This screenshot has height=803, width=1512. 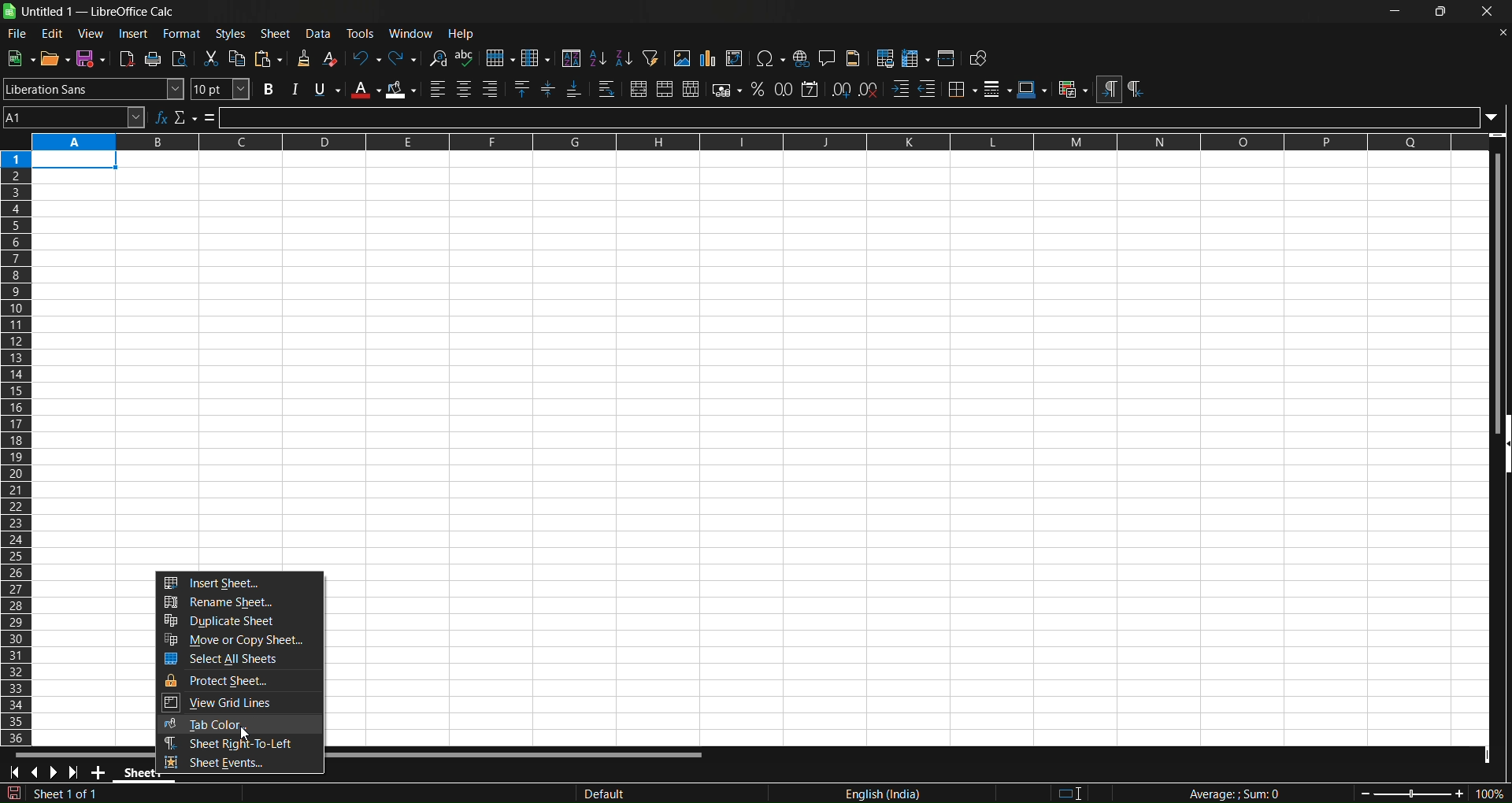 What do you see at coordinates (294, 89) in the screenshot?
I see `italic` at bounding box center [294, 89].